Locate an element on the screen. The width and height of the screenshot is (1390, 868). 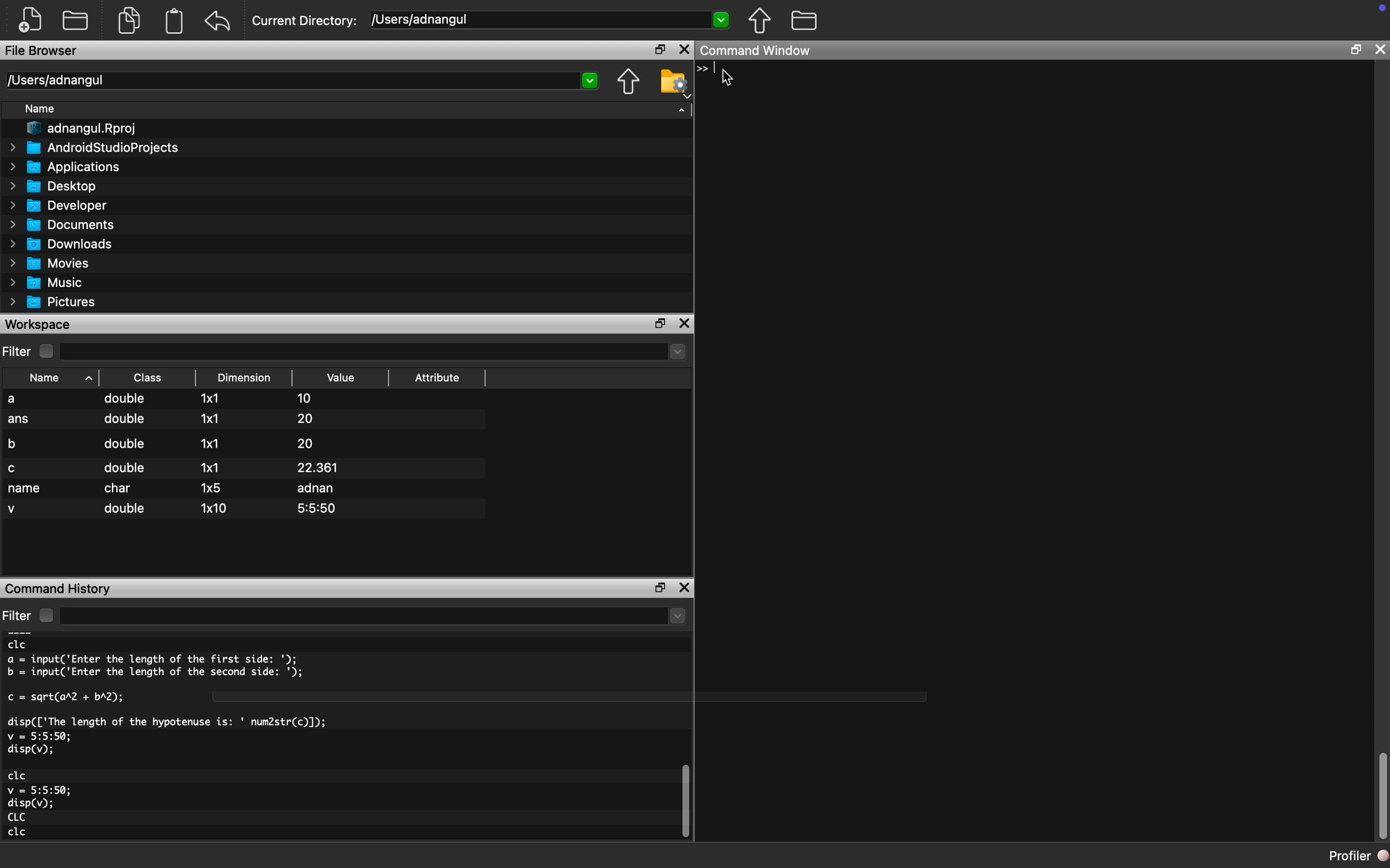
Profiler is located at coordinates (1349, 853).